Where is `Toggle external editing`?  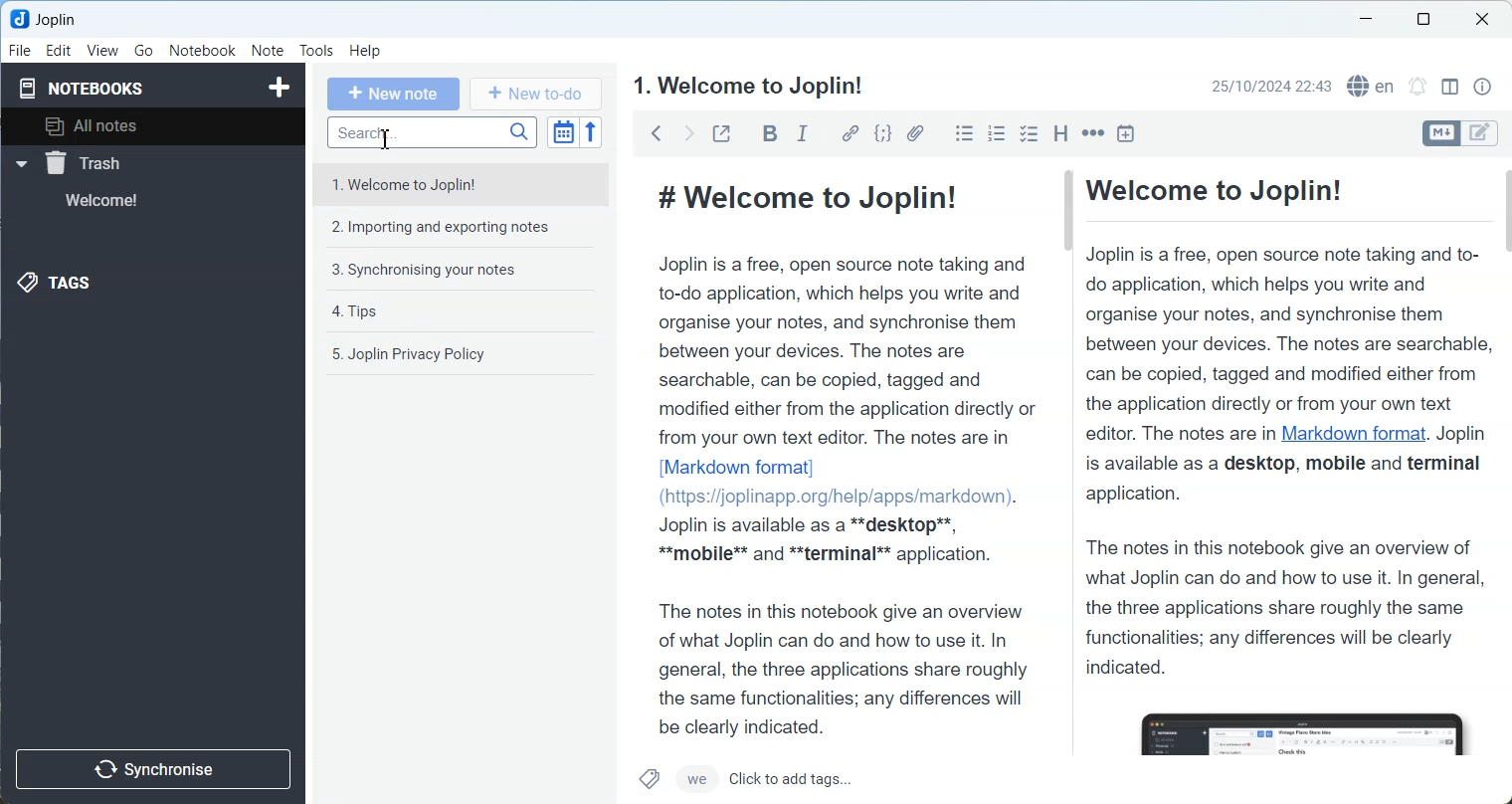
Toggle external editing is located at coordinates (721, 132).